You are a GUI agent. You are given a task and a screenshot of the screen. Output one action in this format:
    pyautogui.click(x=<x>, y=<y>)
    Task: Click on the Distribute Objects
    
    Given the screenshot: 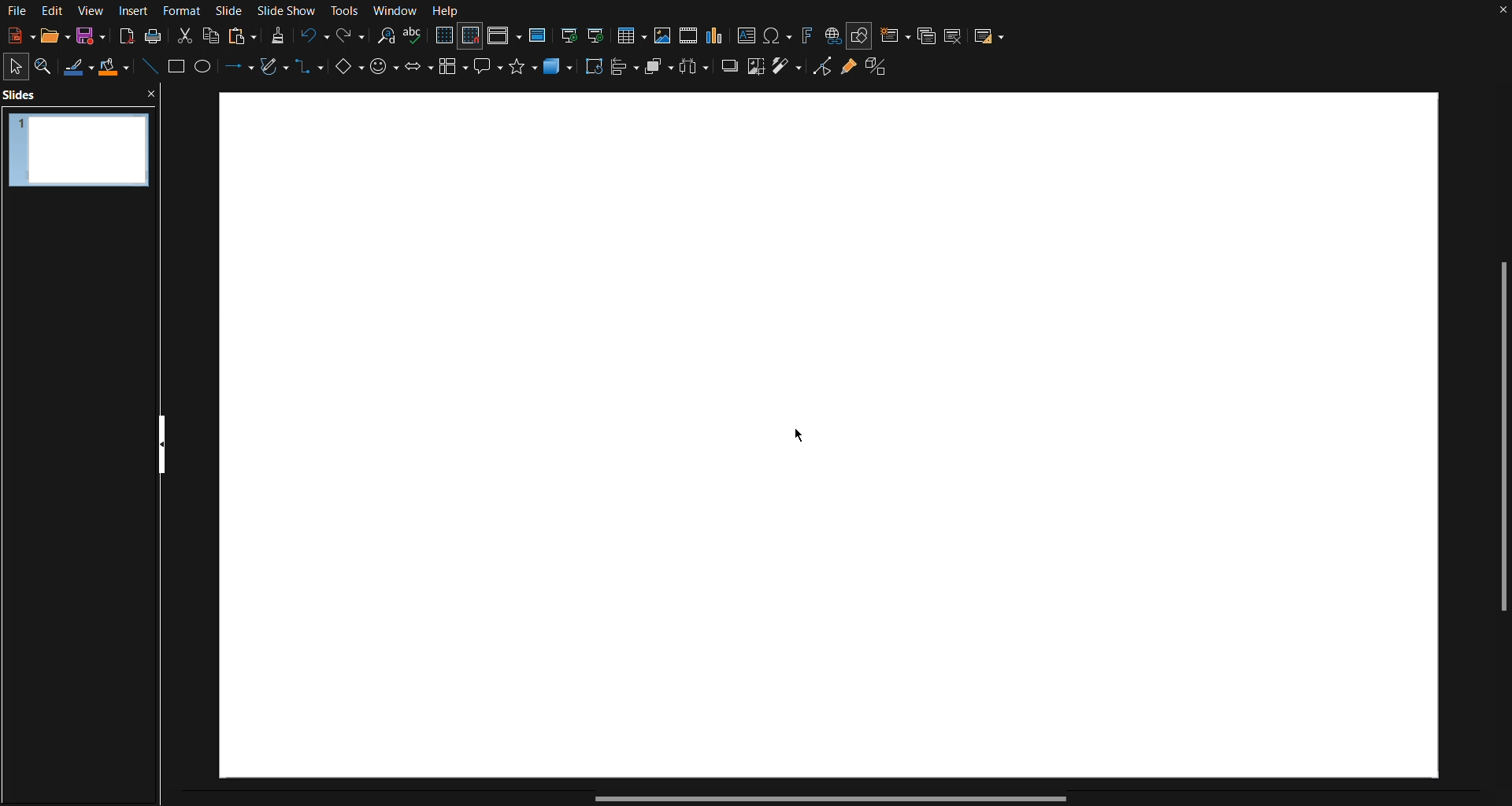 What is the action you would take?
    pyautogui.click(x=696, y=71)
    